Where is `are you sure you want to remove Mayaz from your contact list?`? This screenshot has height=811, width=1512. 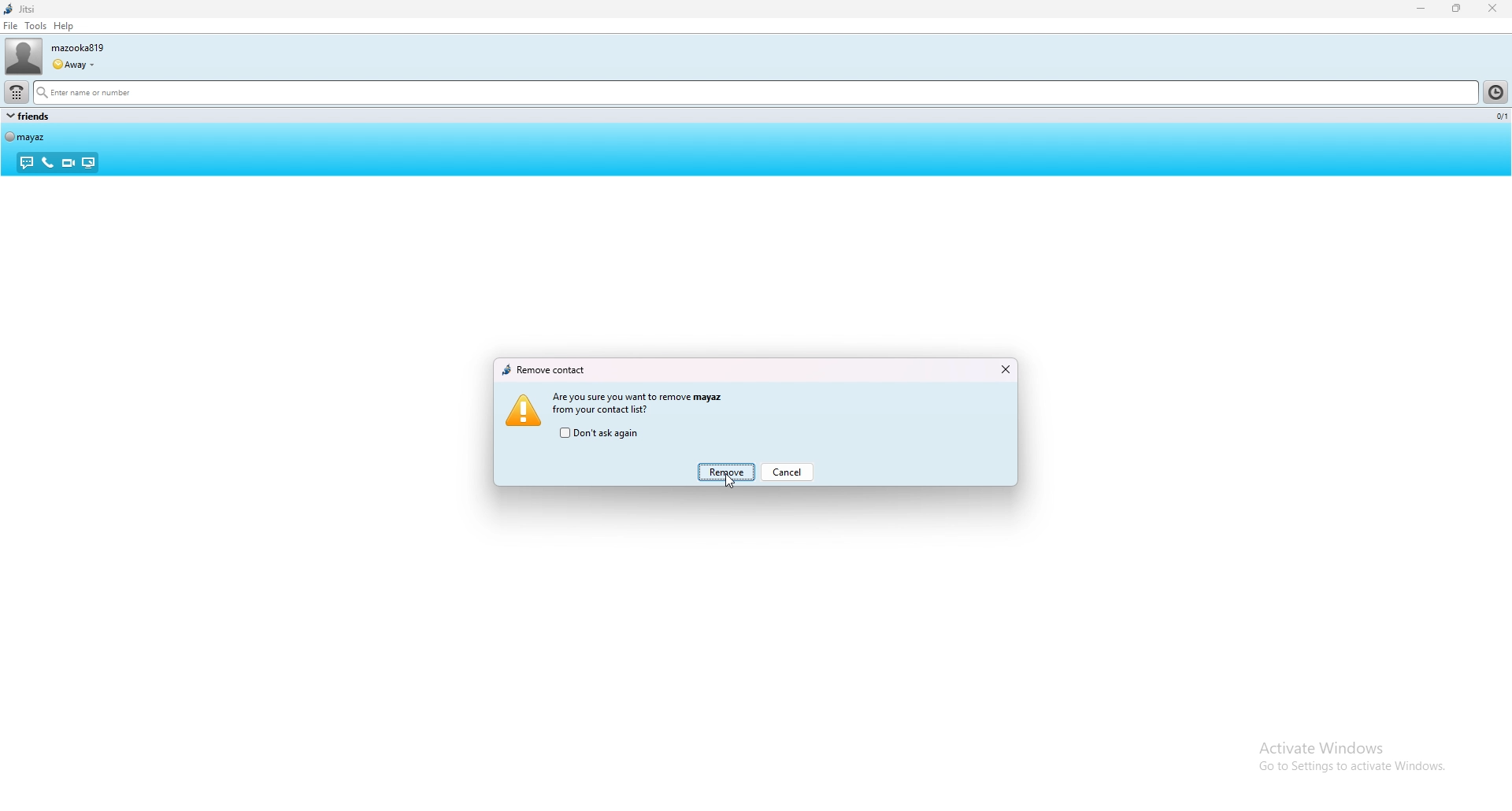
are you sure you want to remove Mayaz from your contact list? is located at coordinates (636, 403).